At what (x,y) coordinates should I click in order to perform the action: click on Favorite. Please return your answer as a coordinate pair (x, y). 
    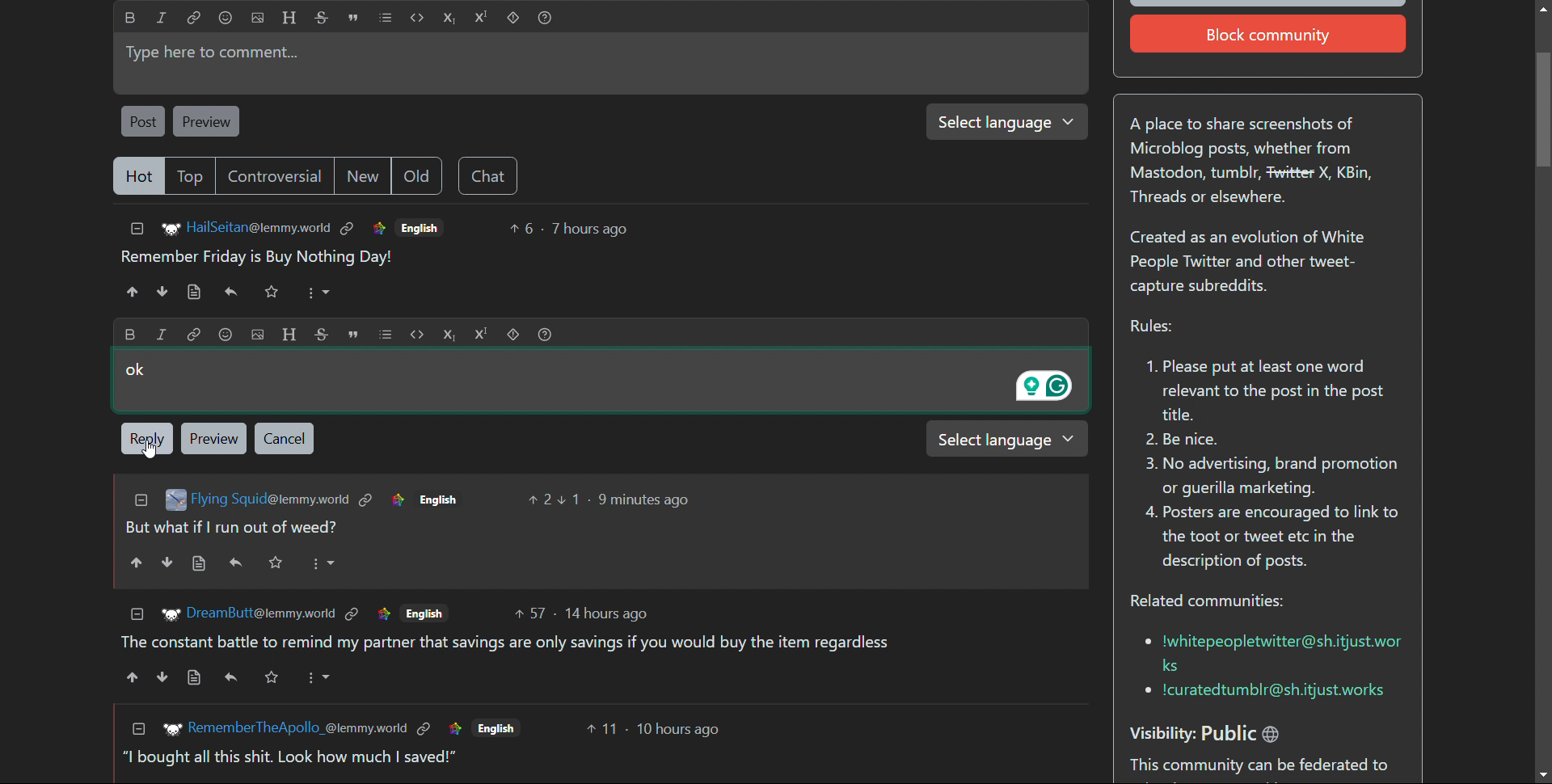
    Looking at the image, I should click on (280, 564).